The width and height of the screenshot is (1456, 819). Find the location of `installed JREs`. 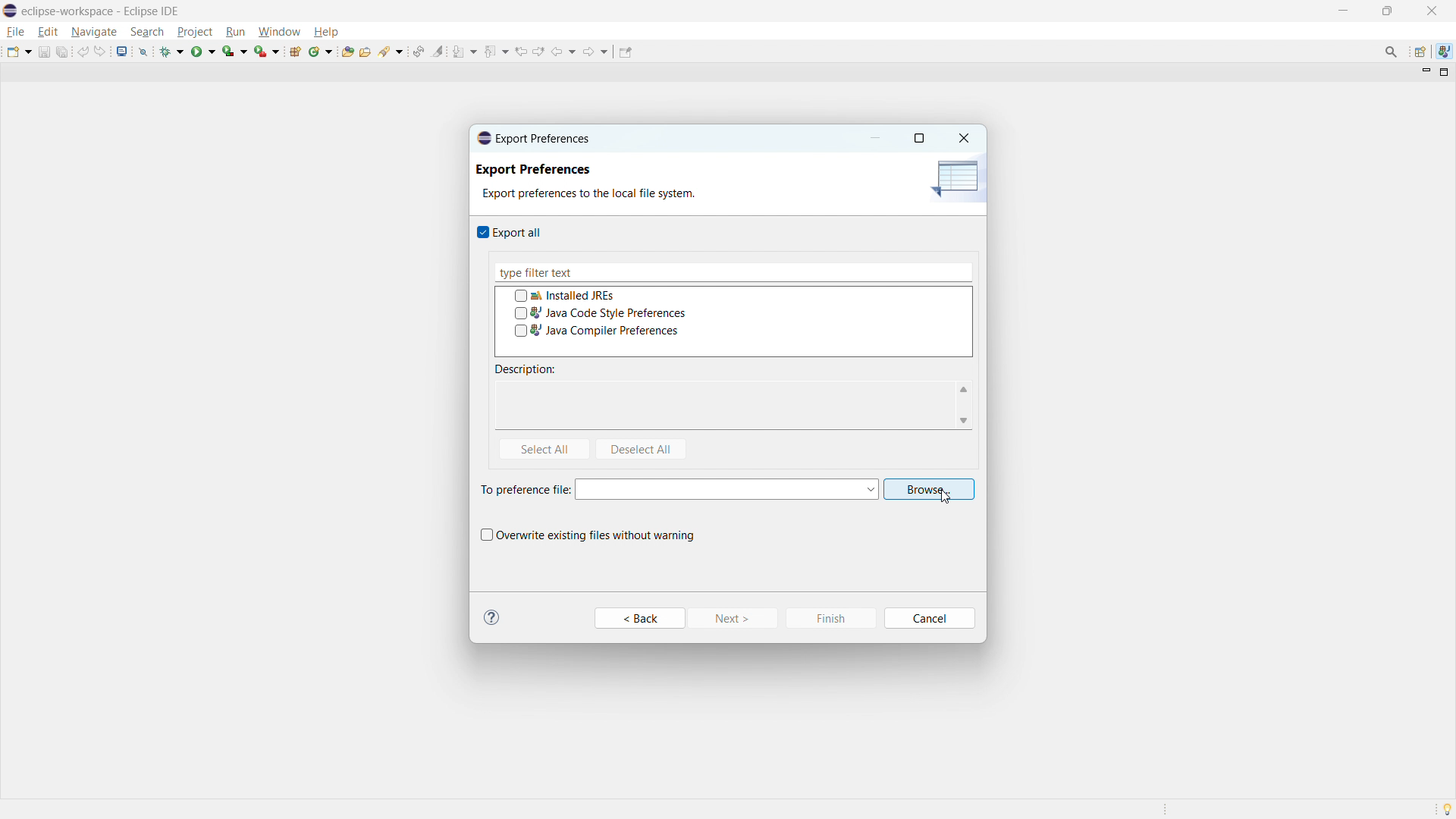

installed JREs is located at coordinates (564, 295).